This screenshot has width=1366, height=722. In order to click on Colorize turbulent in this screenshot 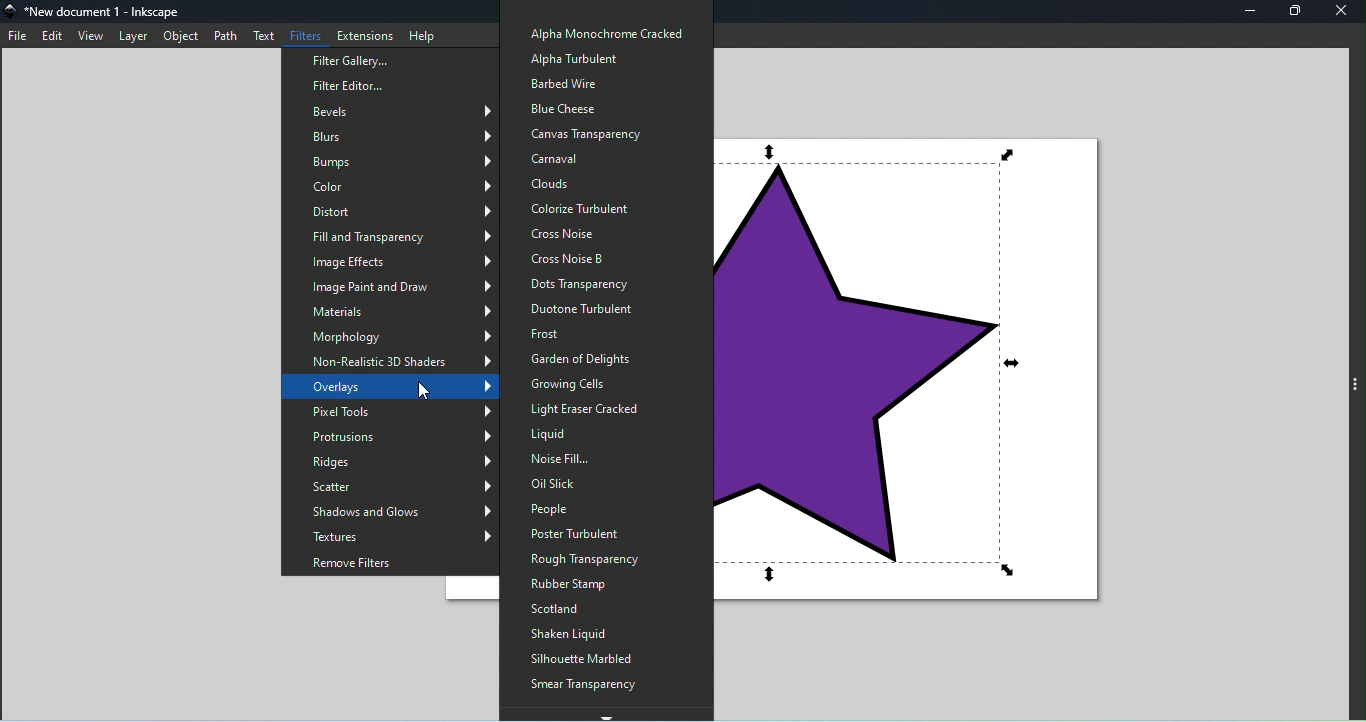, I will do `click(608, 208)`.